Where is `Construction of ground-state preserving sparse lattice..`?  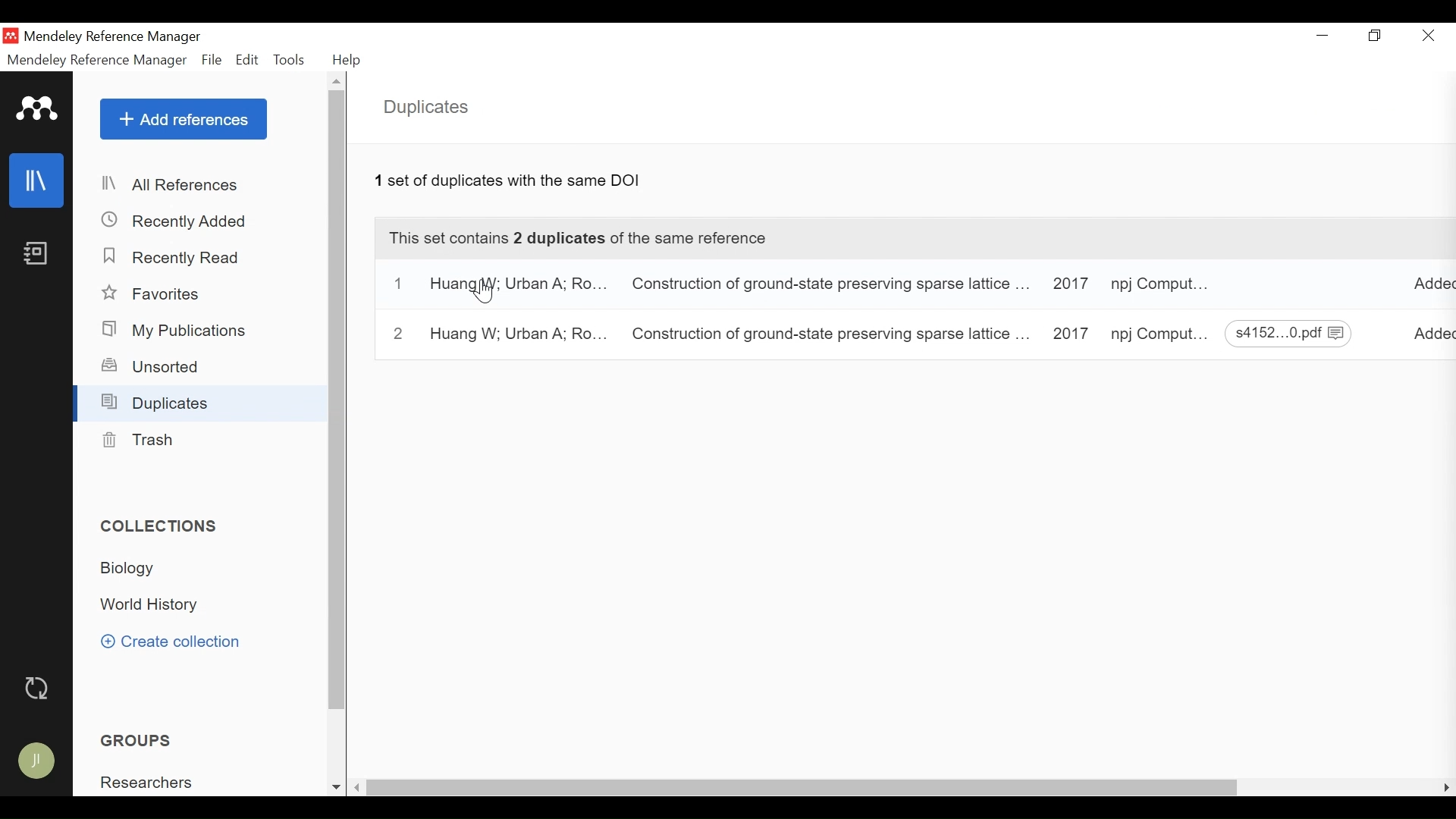 Construction of ground-state preserving sparse lattice.. is located at coordinates (830, 334).